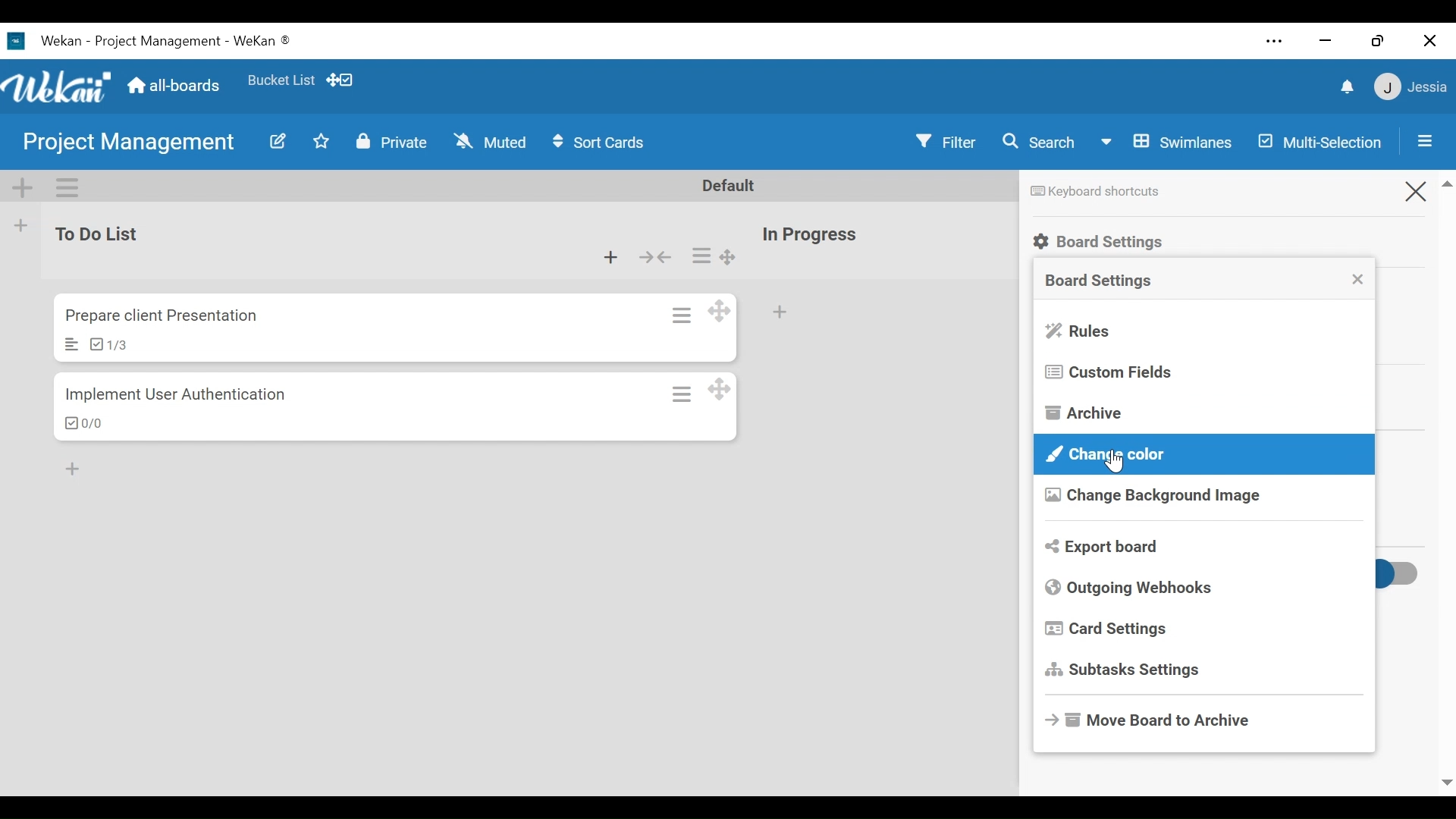 This screenshot has height=819, width=1456. What do you see at coordinates (176, 86) in the screenshot?
I see `Home (all-boards)` at bounding box center [176, 86].